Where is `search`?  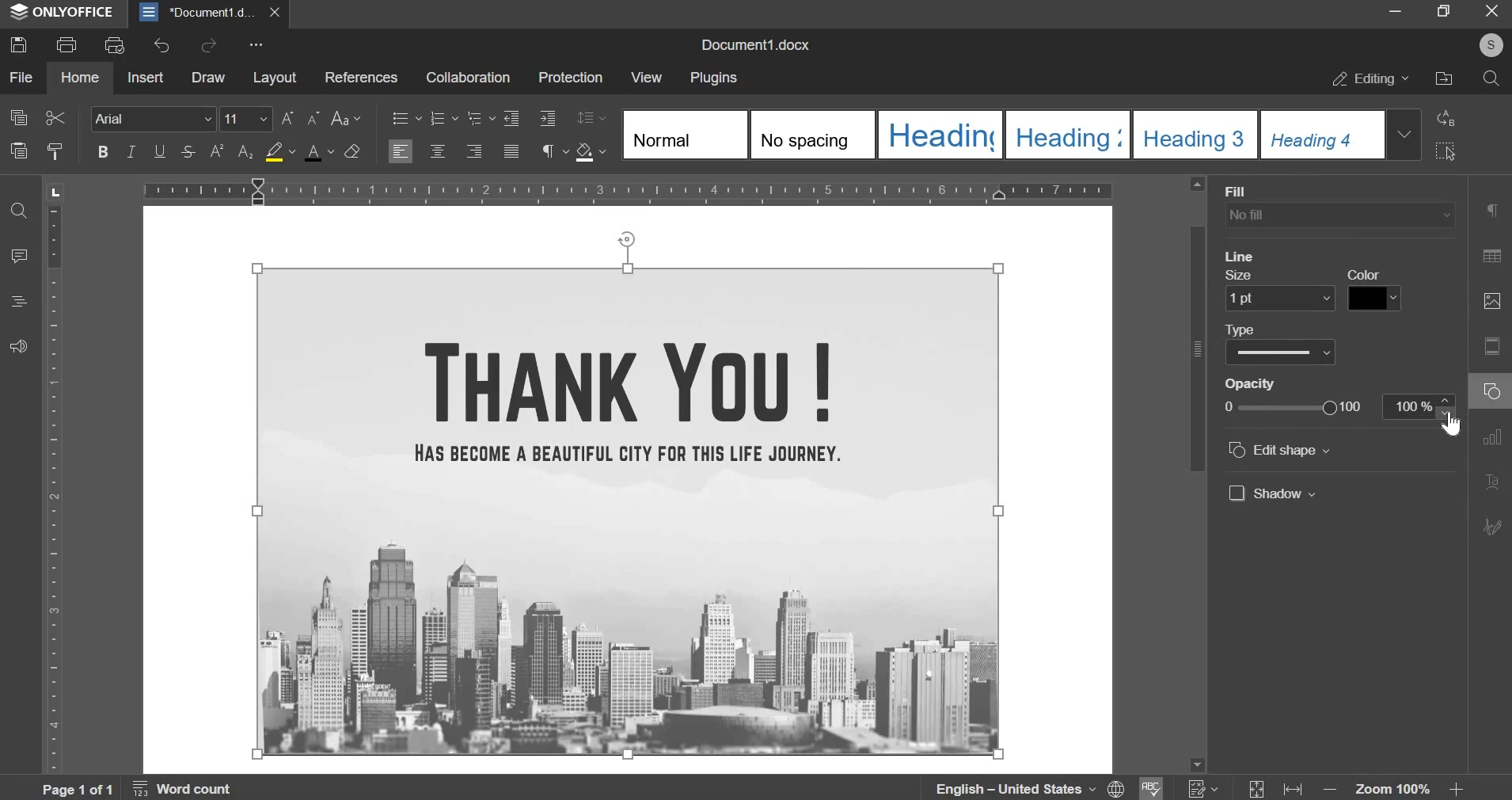
search is located at coordinates (1491, 78).